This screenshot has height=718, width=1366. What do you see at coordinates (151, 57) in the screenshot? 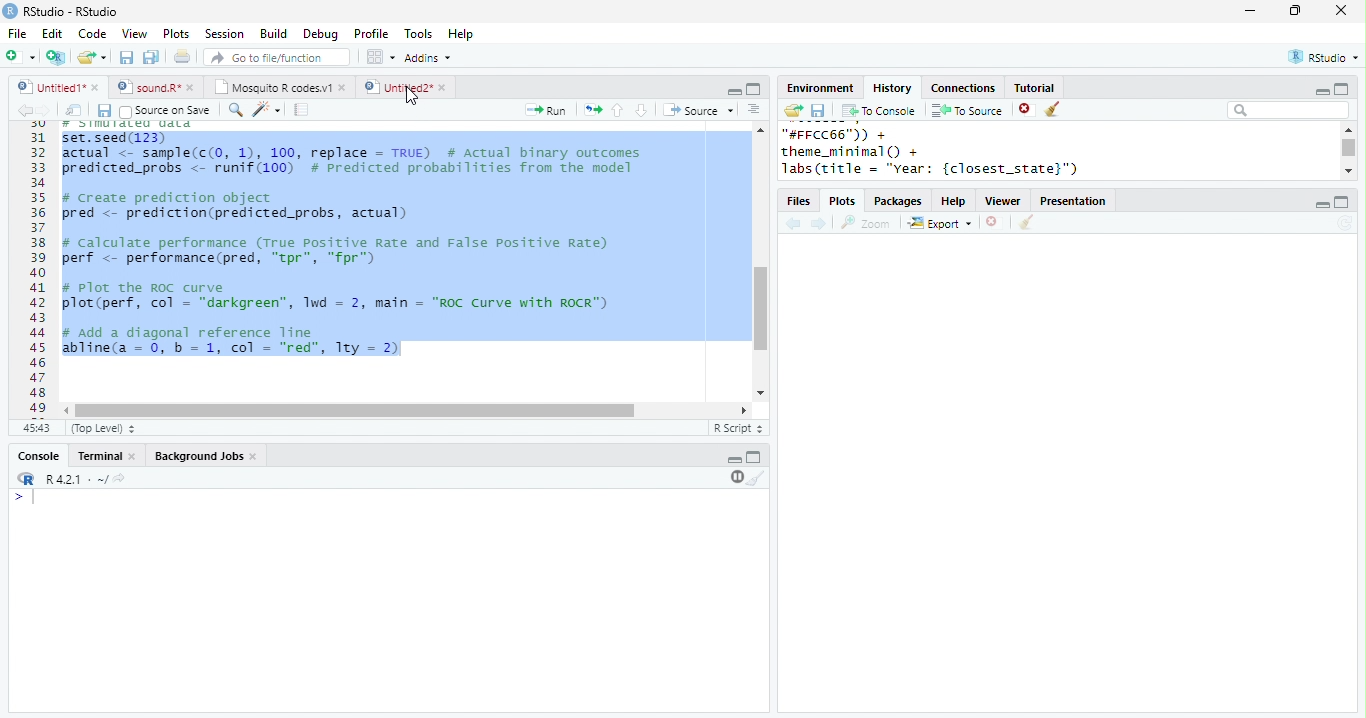
I see `save all` at bounding box center [151, 57].